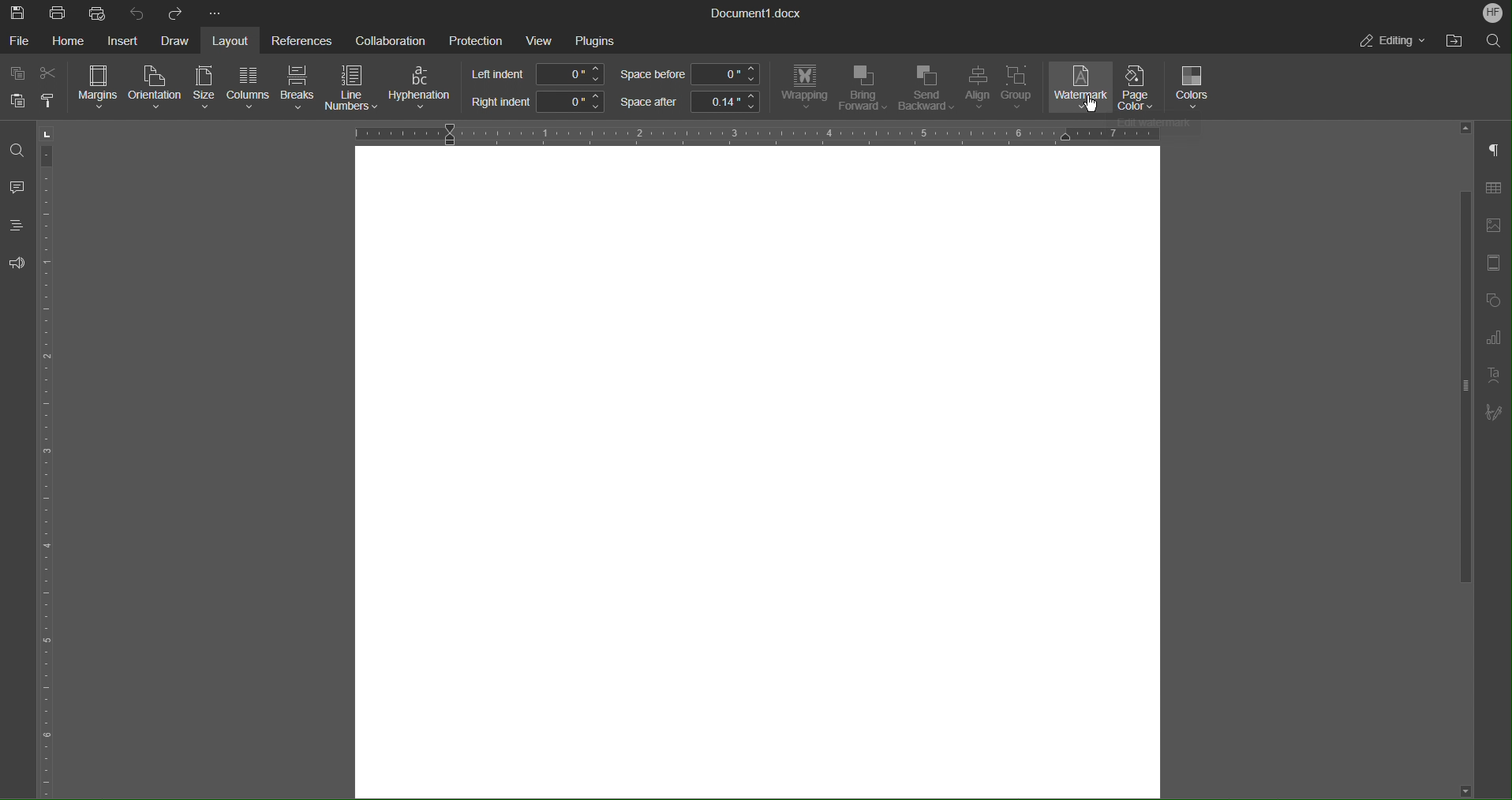 The image size is (1512, 800). Describe the element at coordinates (50, 459) in the screenshot. I see `Vertical Ruler` at that location.